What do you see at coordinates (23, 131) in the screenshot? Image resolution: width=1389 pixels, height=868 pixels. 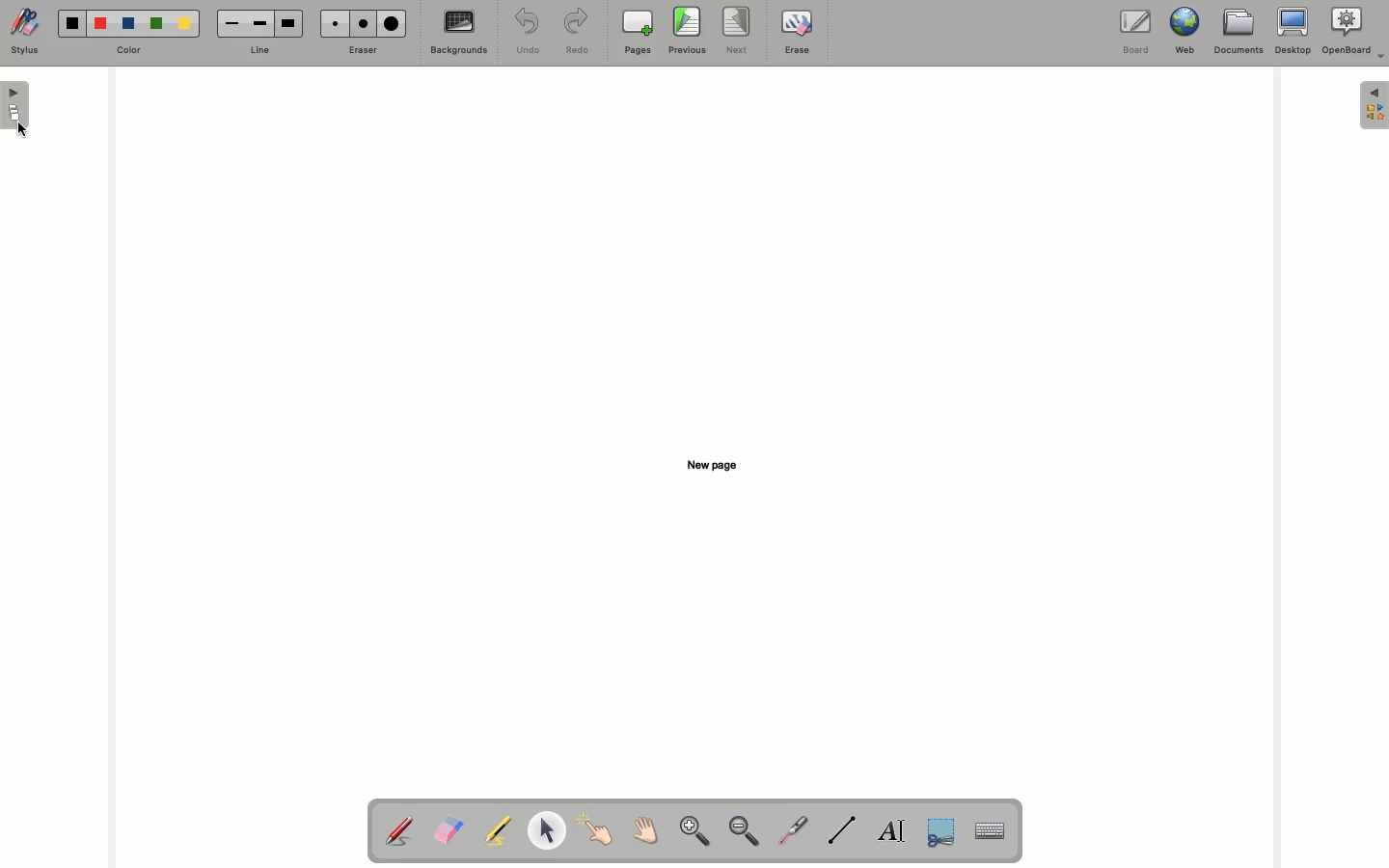 I see `Cursor` at bounding box center [23, 131].